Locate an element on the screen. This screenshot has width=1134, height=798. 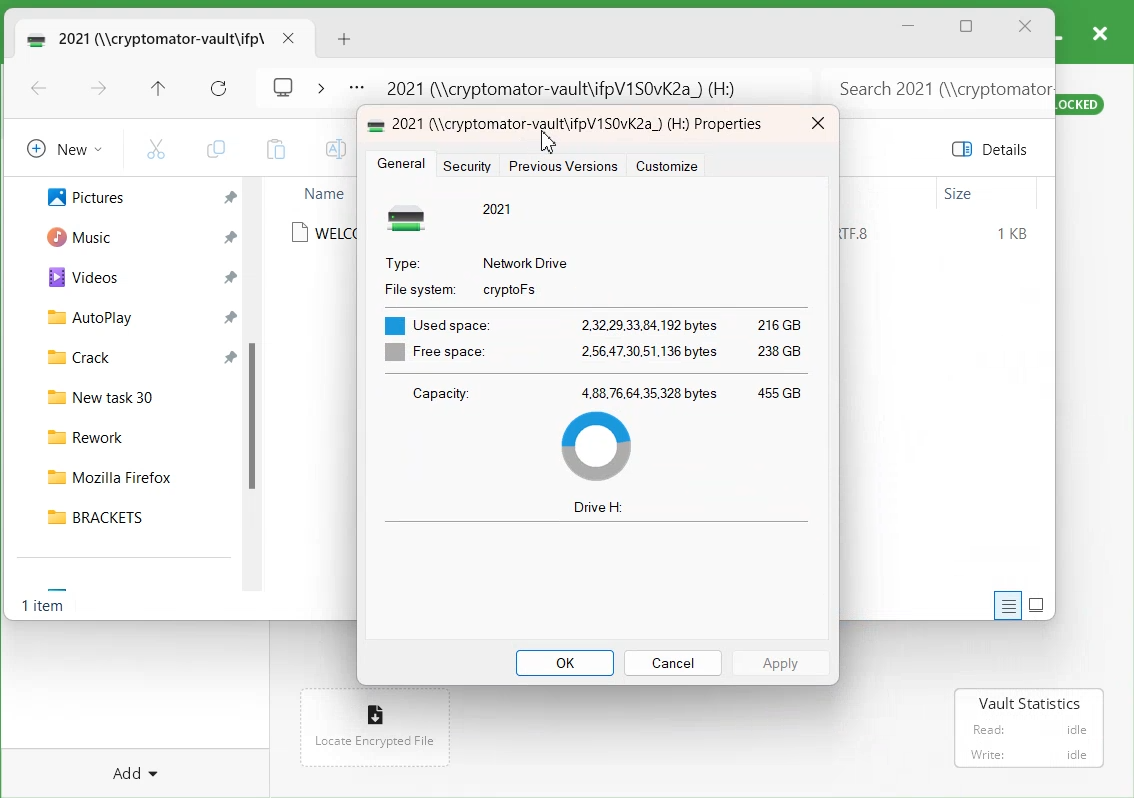
Pin a file is located at coordinates (230, 237).